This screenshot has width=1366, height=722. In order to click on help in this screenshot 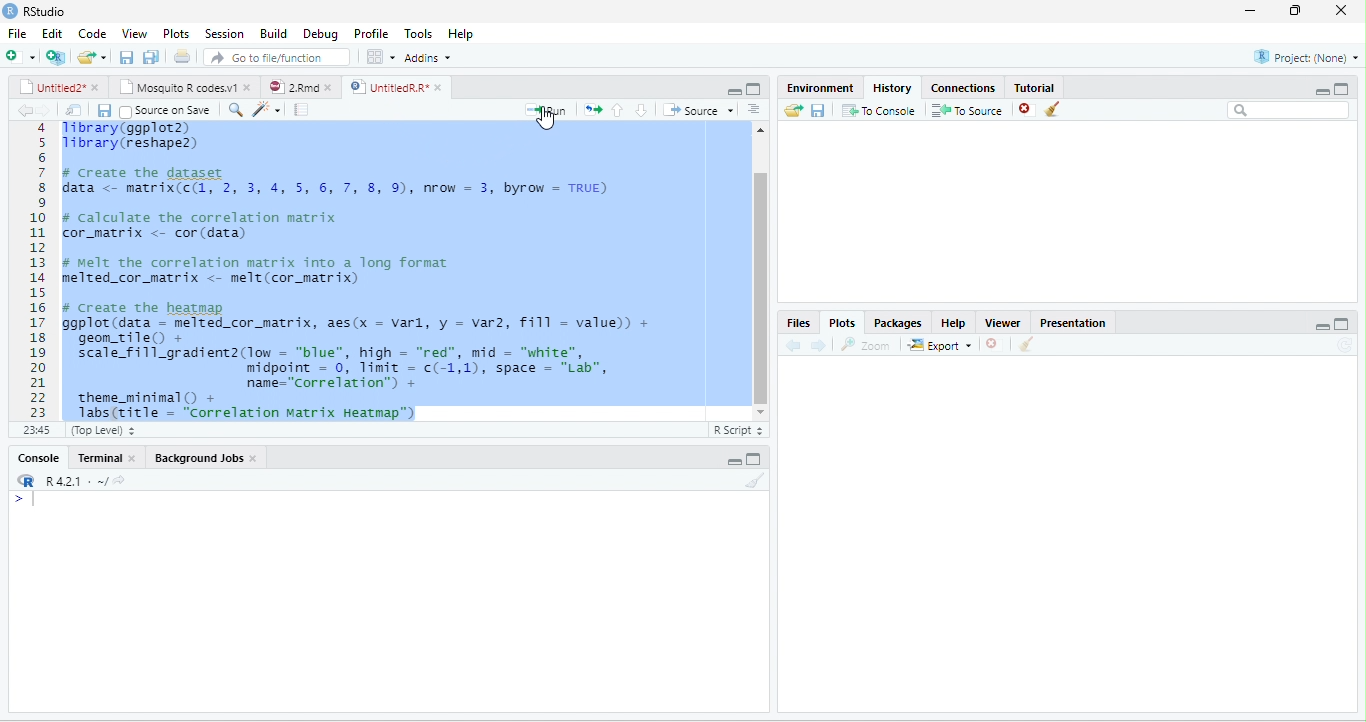, I will do `click(951, 322)`.